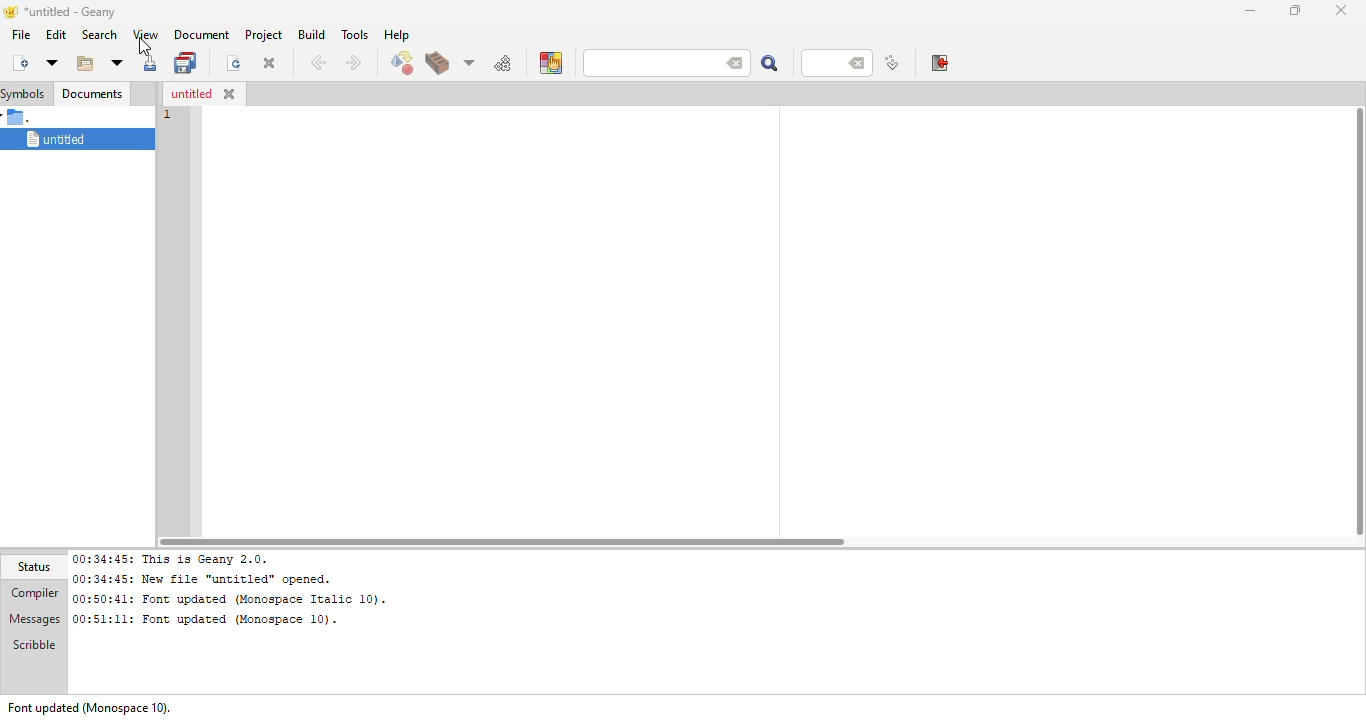 The height and width of the screenshot is (720, 1366). I want to click on view, so click(143, 35).